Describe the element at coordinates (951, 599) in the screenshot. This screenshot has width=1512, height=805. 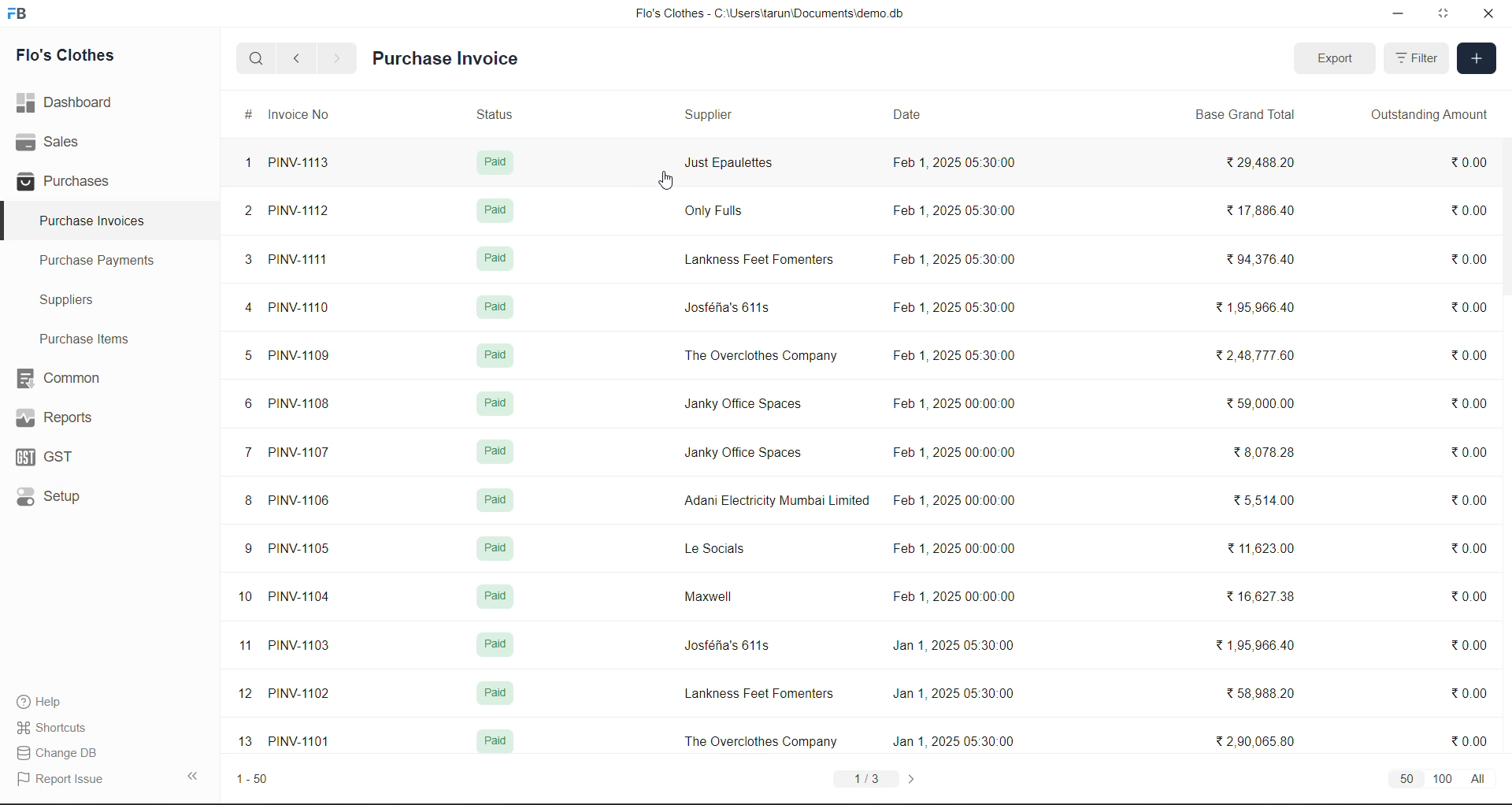
I see `Feb 1, 2025 00:00:00` at that location.